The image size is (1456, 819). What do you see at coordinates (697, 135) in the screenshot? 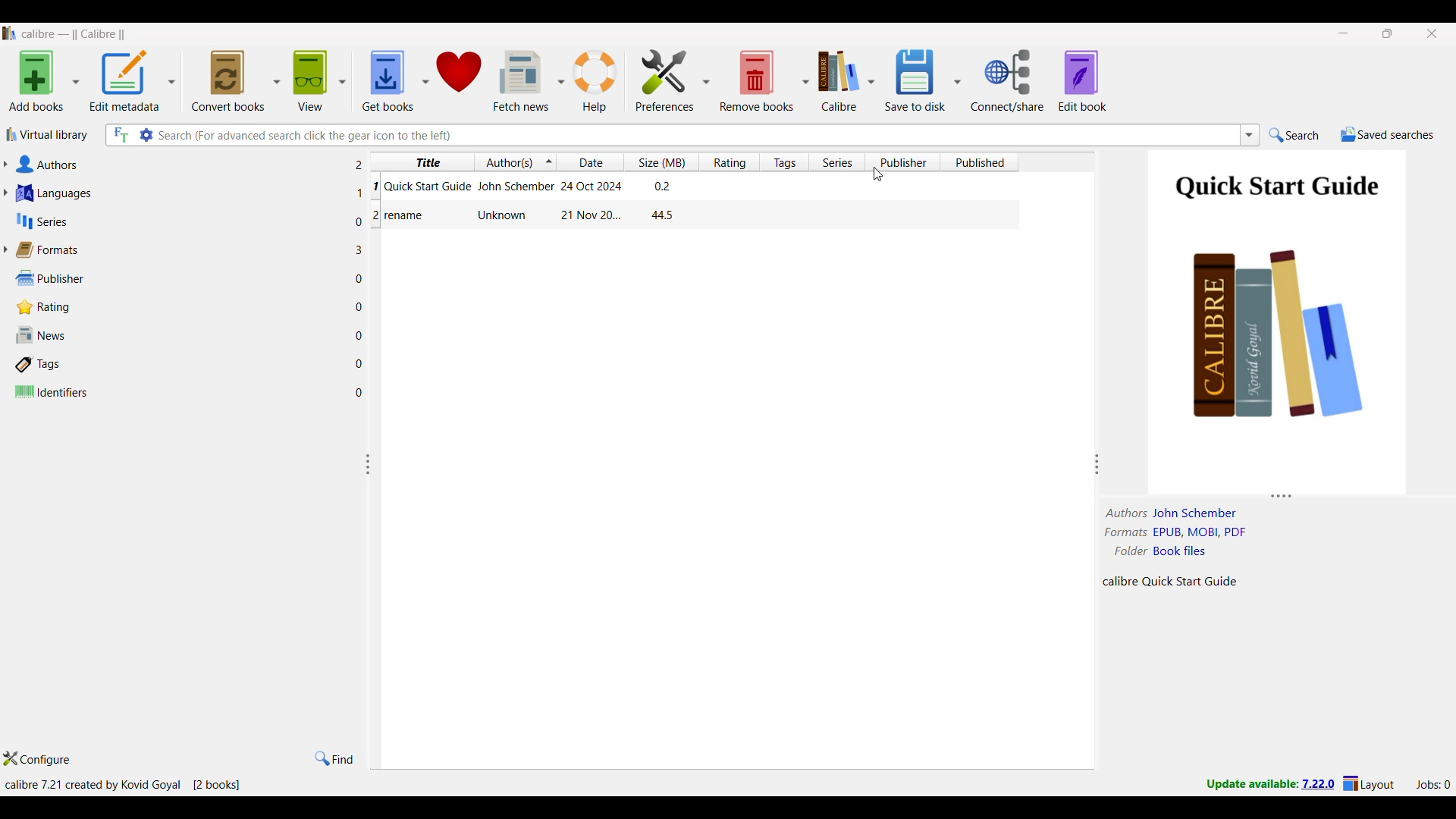
I see `Input search here` at bounding box center [697, 135].